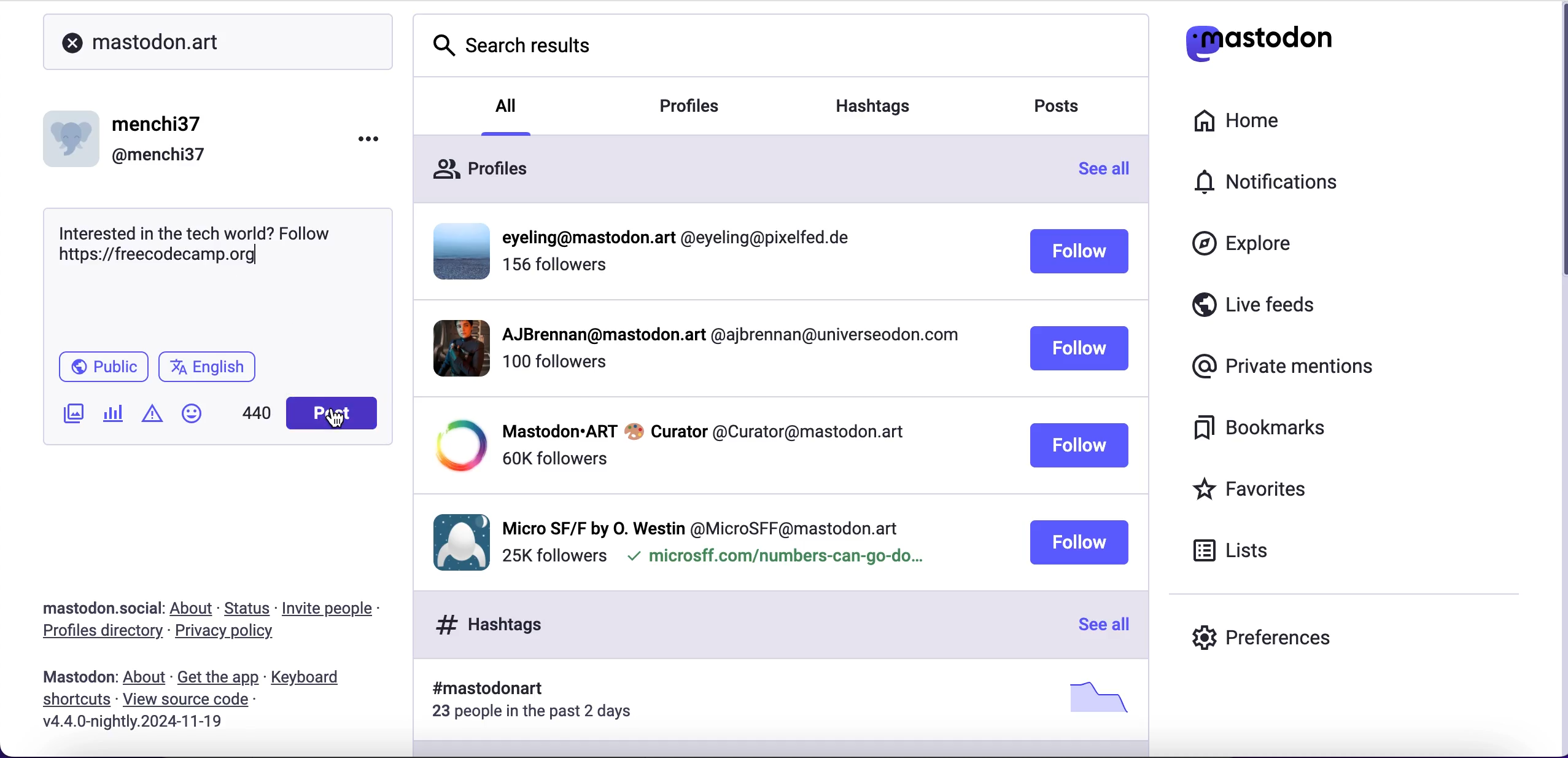 This screenshot has height=758, width=1568. I want to click on lists, so click(1237, 552).